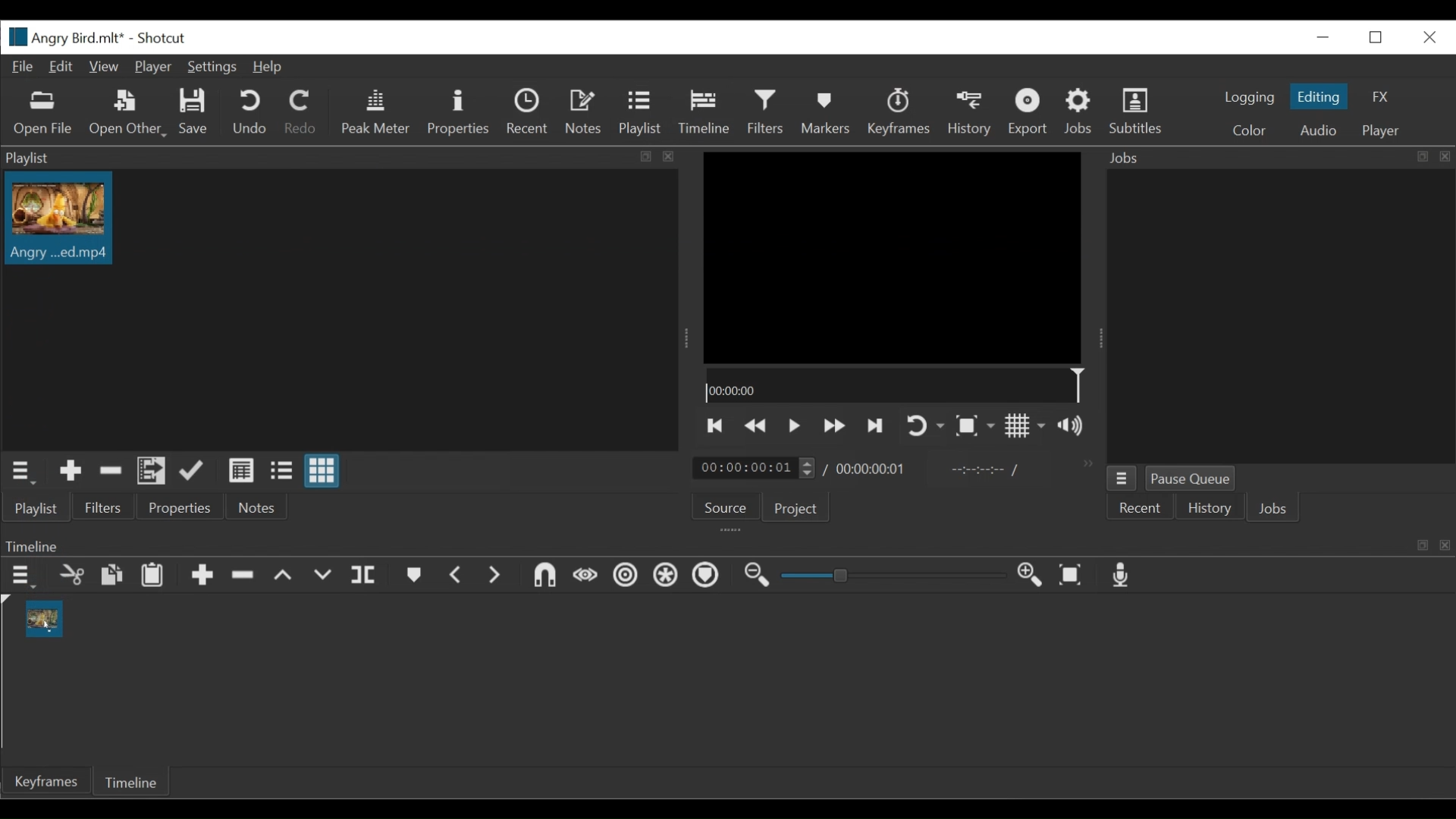  I want to click on Recent, so click(1143, 508).